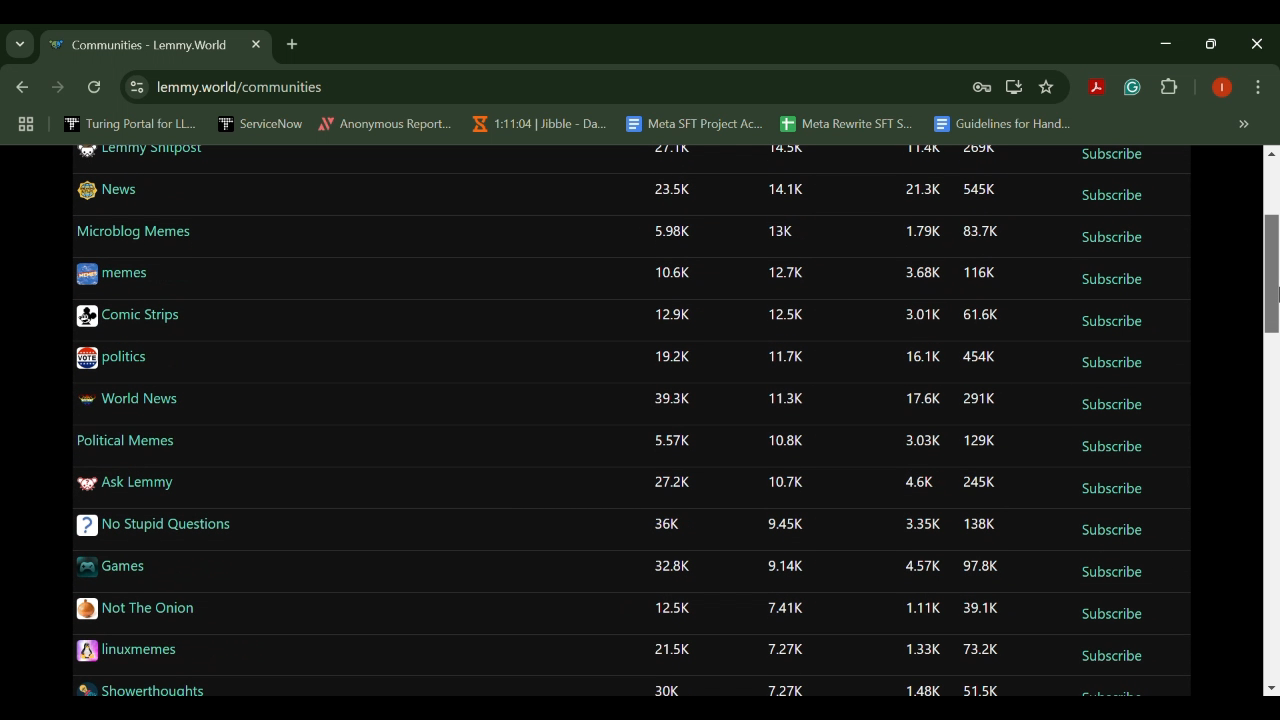  What do you see at coordinates (1111, 447) in the screenshot?
I see `Subscribe` at bounding box center [1111, 447].